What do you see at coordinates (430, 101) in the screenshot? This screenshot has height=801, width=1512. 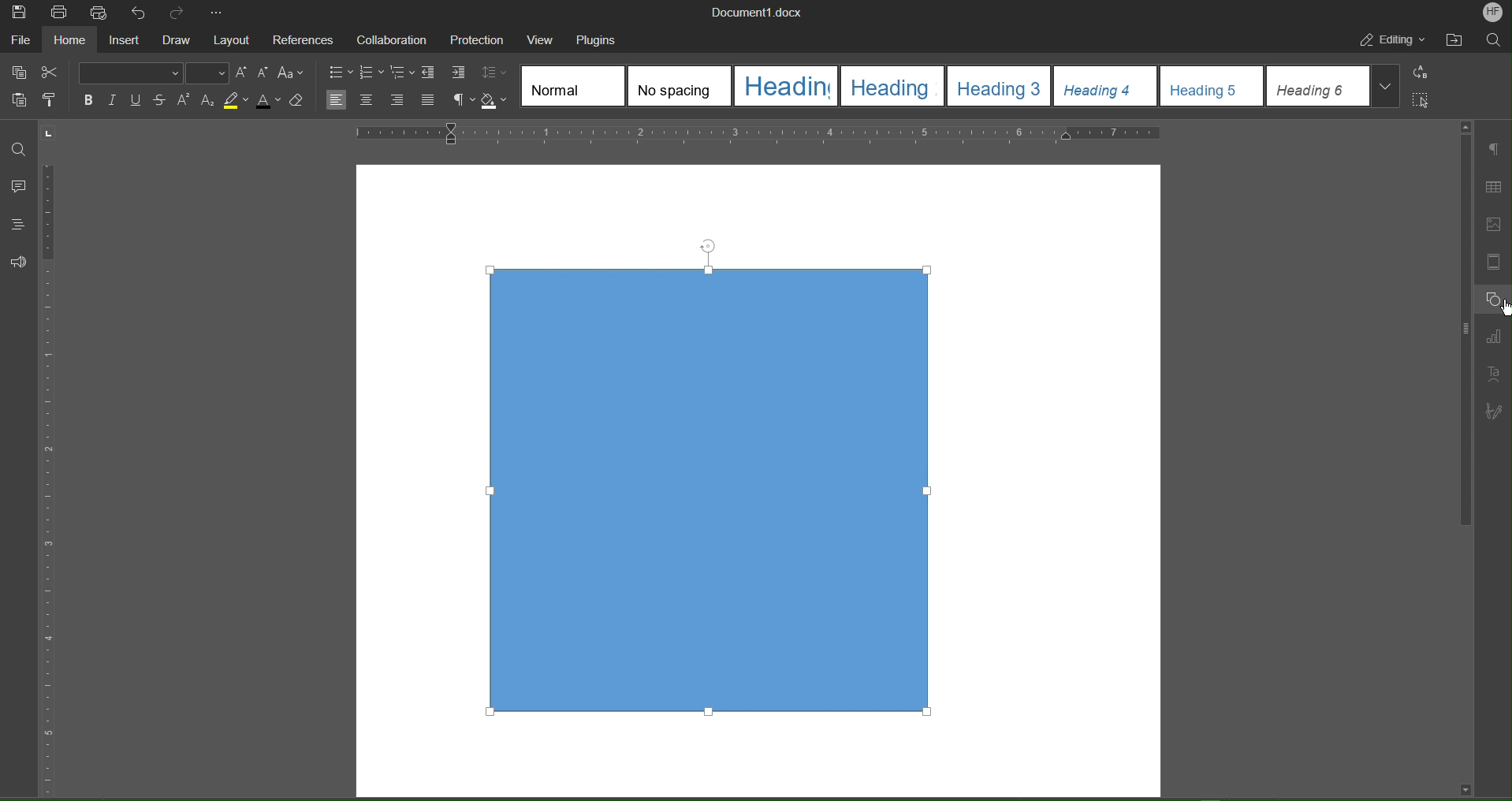 I see `Justify` at bounding box center [430, 101].